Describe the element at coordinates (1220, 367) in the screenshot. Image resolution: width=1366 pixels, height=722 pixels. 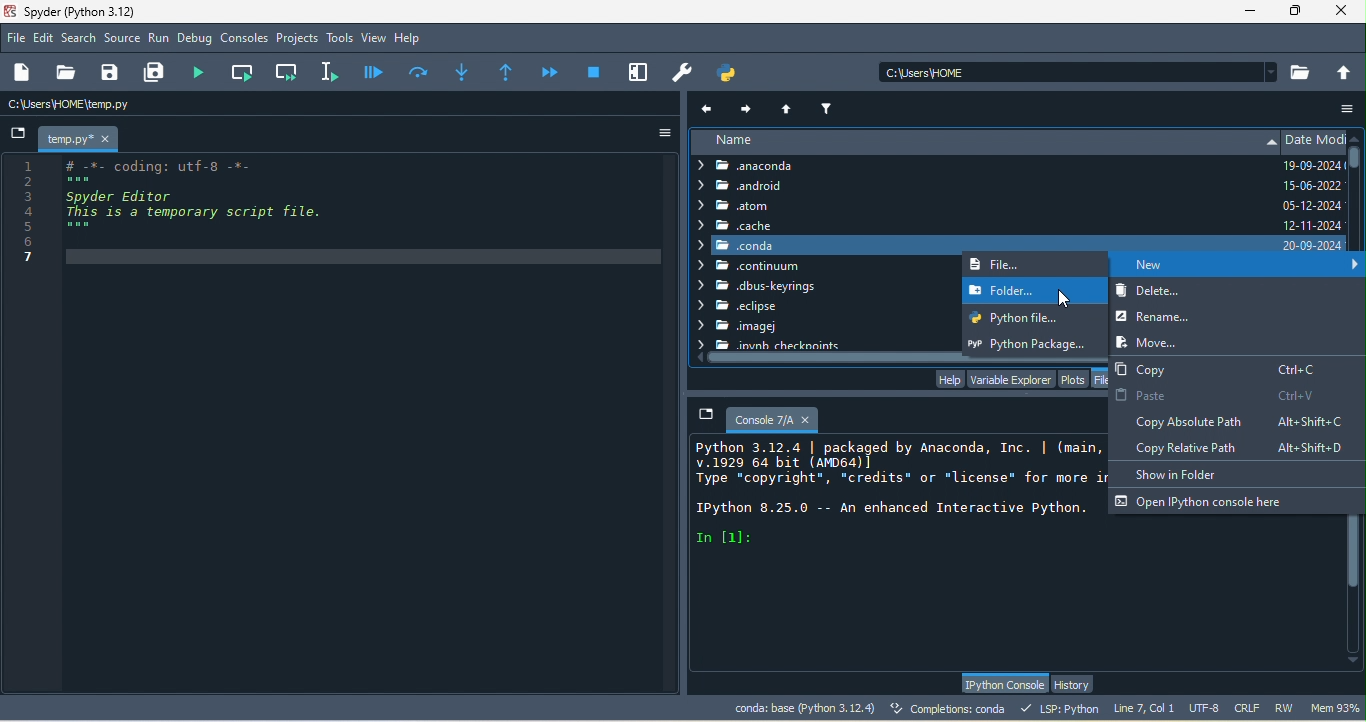
I see `copy` at that location.